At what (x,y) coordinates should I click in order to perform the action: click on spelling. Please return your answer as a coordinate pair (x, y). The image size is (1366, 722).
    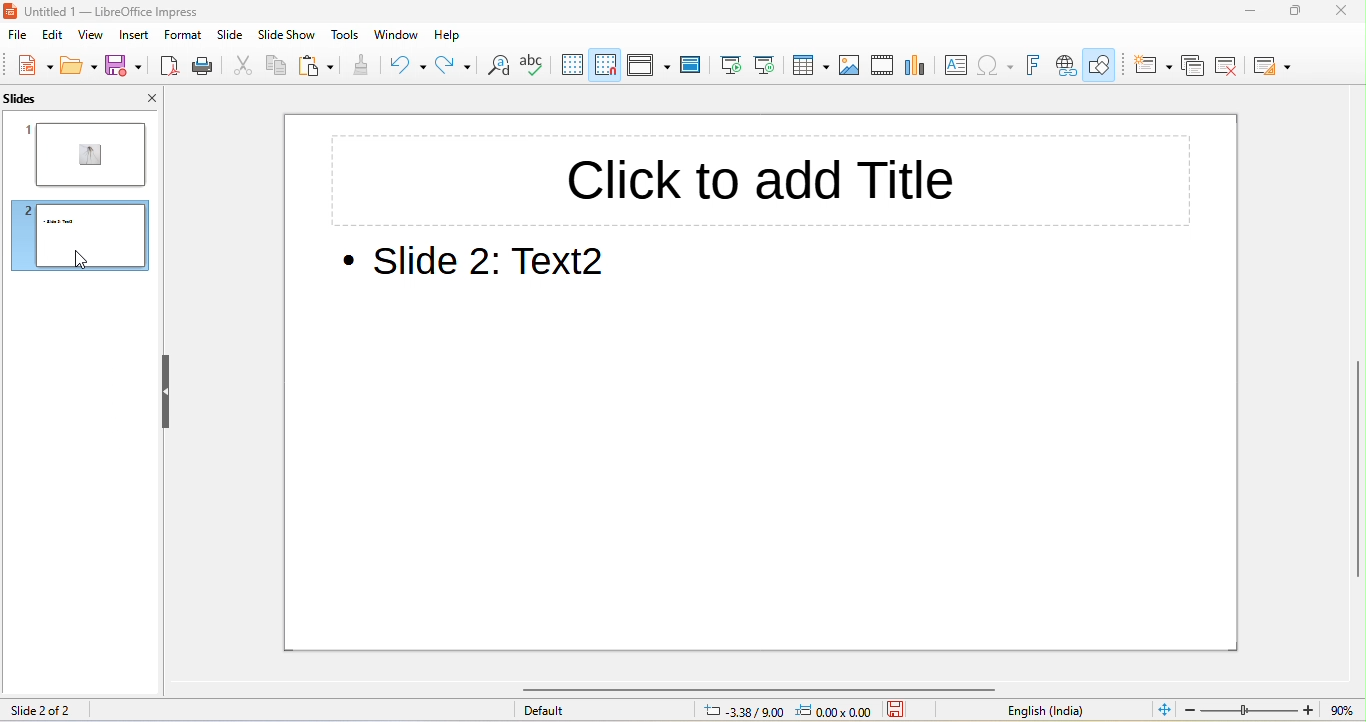
    Looking at the image, I should click on (539, 67).